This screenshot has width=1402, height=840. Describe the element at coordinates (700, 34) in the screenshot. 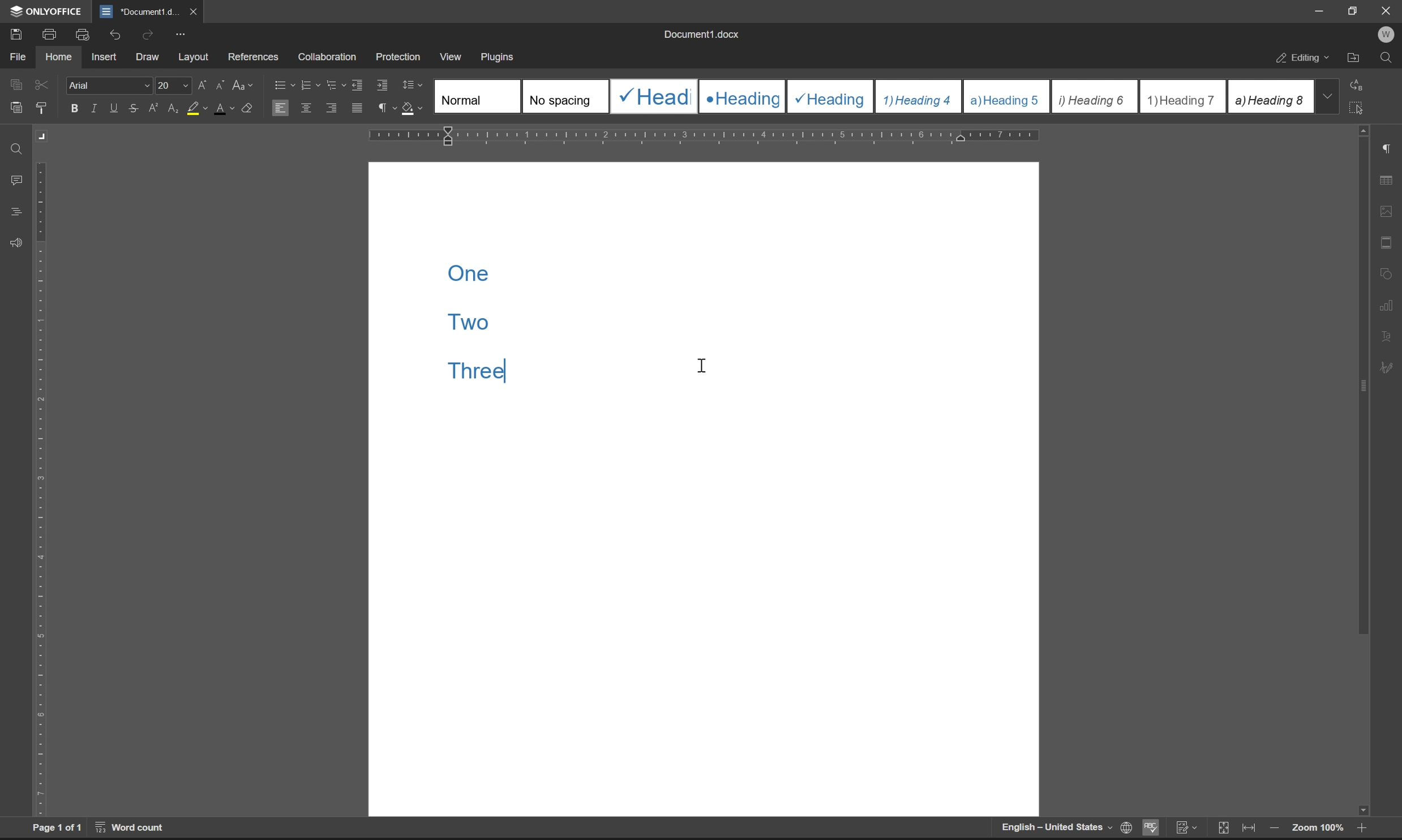

I see `document1.docx` at that location.